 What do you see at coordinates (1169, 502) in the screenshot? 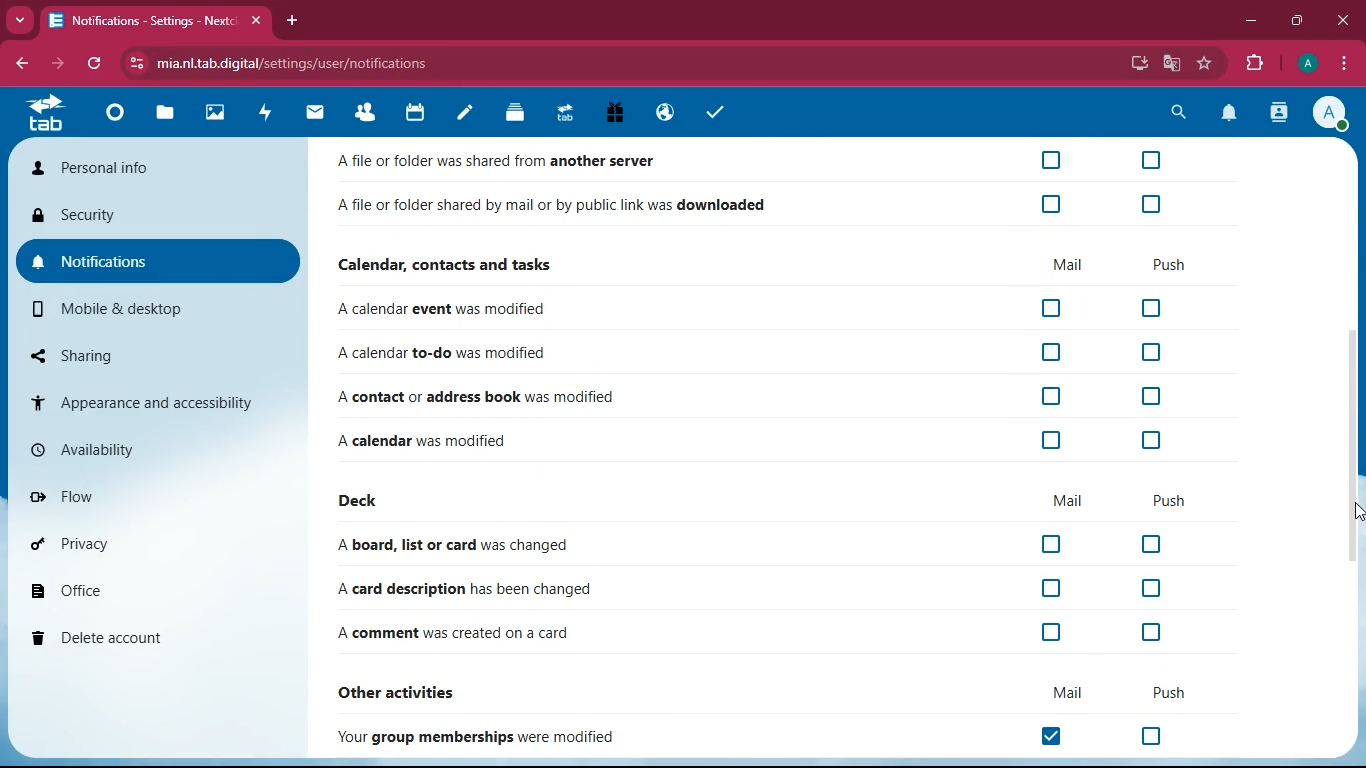
I see `push` at bounding box center [1169, 502].